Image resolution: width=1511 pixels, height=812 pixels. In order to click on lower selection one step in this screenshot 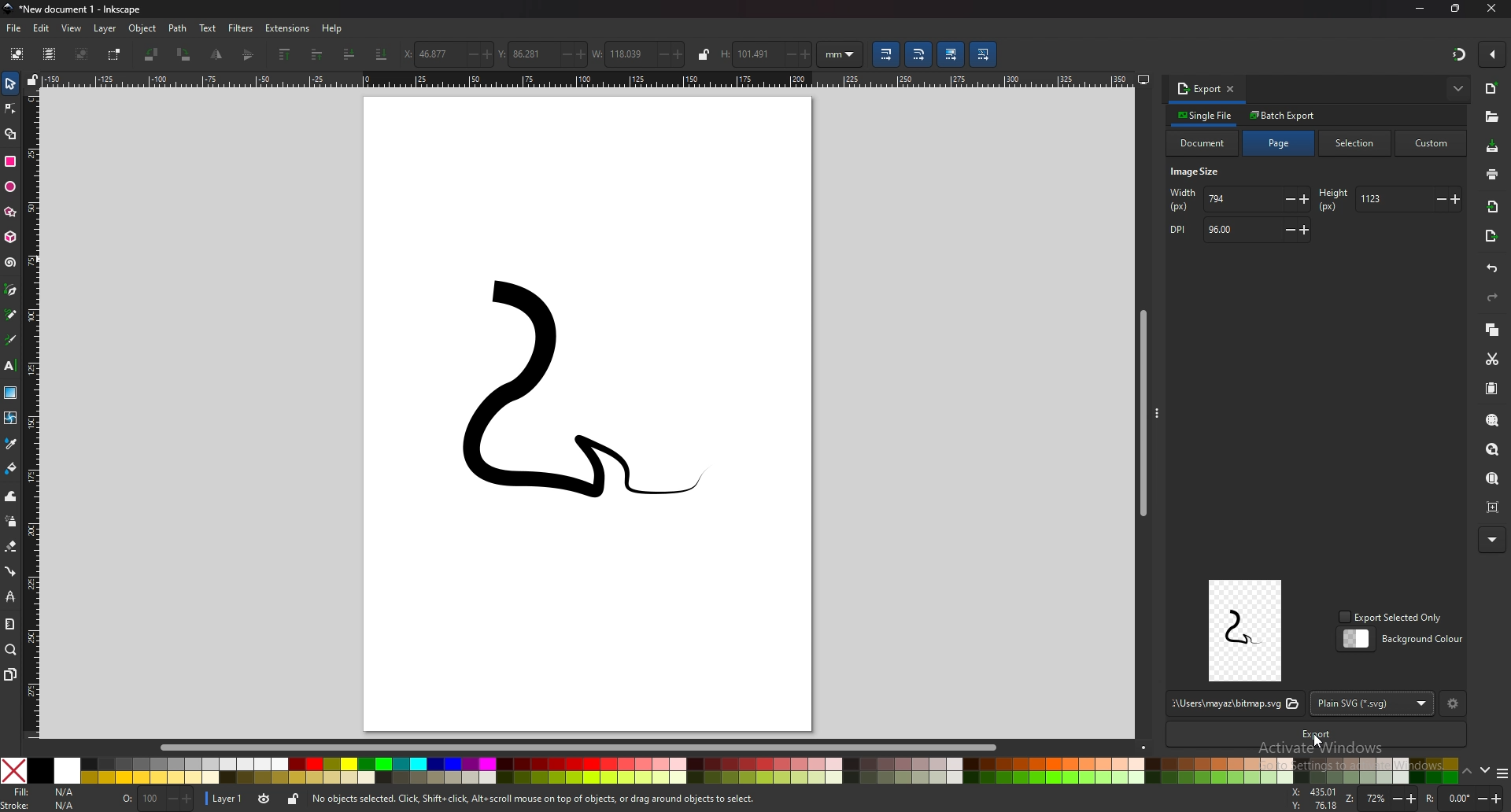, I will do `click(350, 53)`.